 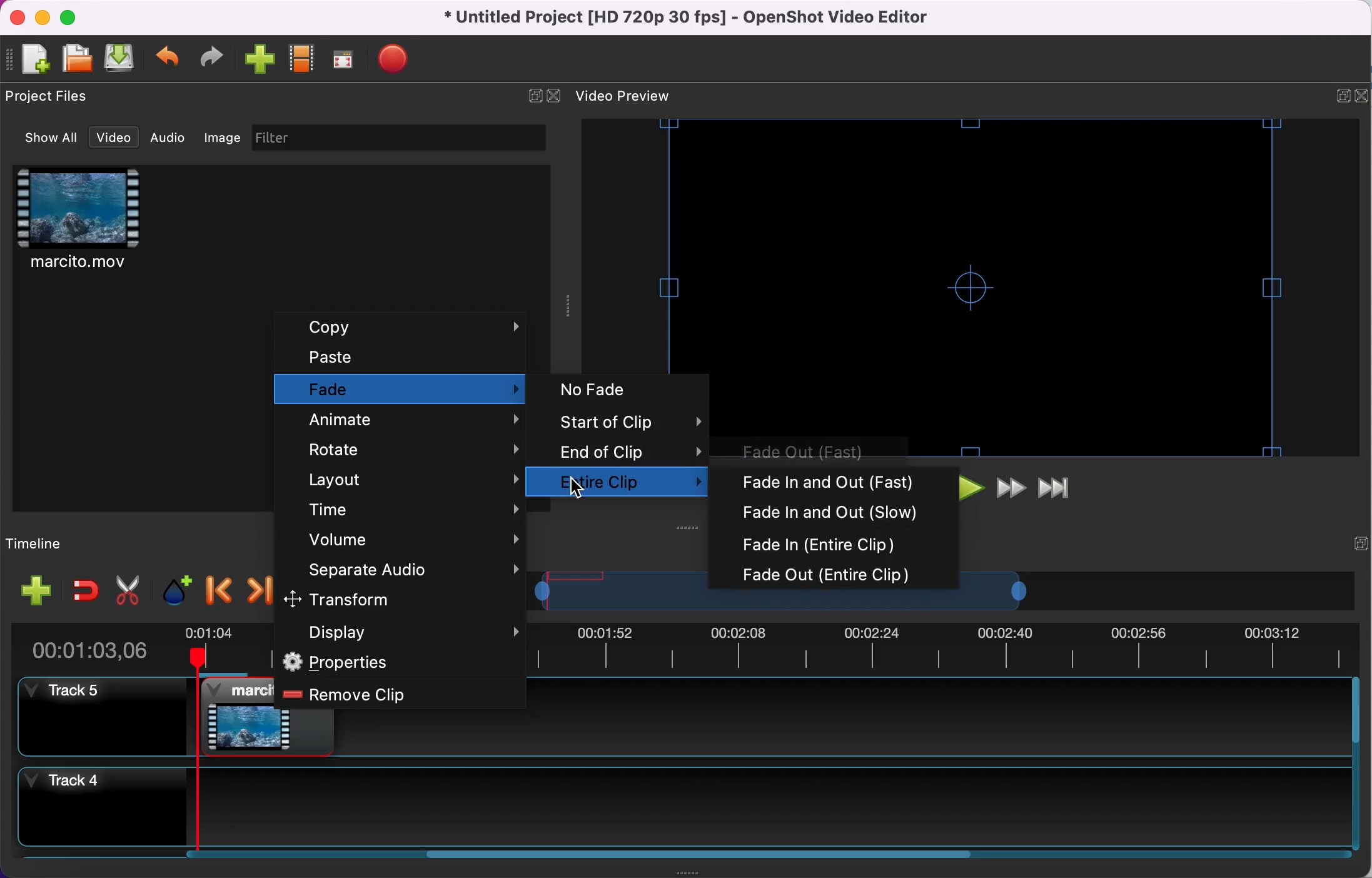 I want to click on display, so click(x=402, y=632).